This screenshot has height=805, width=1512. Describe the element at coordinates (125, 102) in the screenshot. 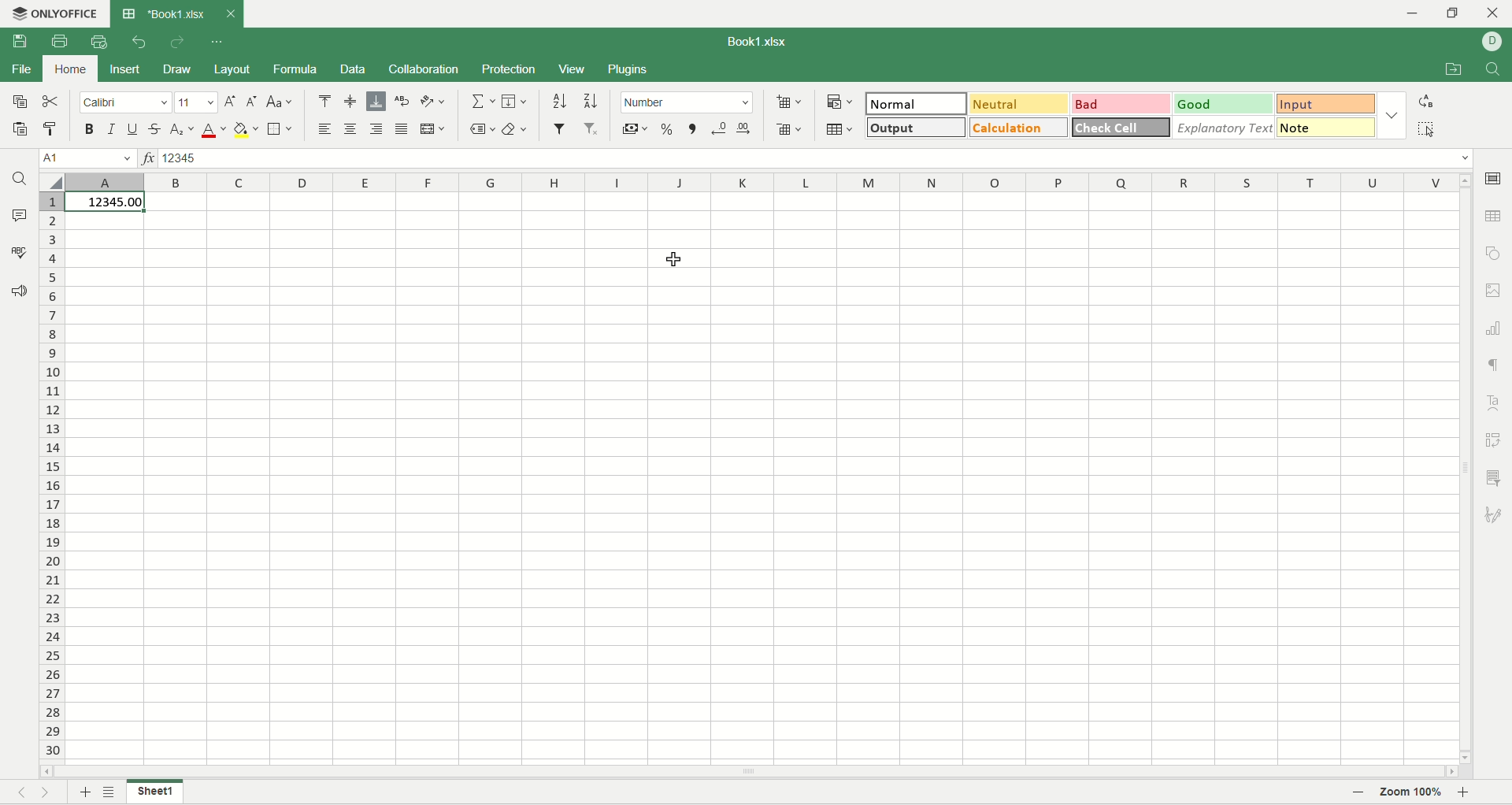

I see `calibri` at that location.